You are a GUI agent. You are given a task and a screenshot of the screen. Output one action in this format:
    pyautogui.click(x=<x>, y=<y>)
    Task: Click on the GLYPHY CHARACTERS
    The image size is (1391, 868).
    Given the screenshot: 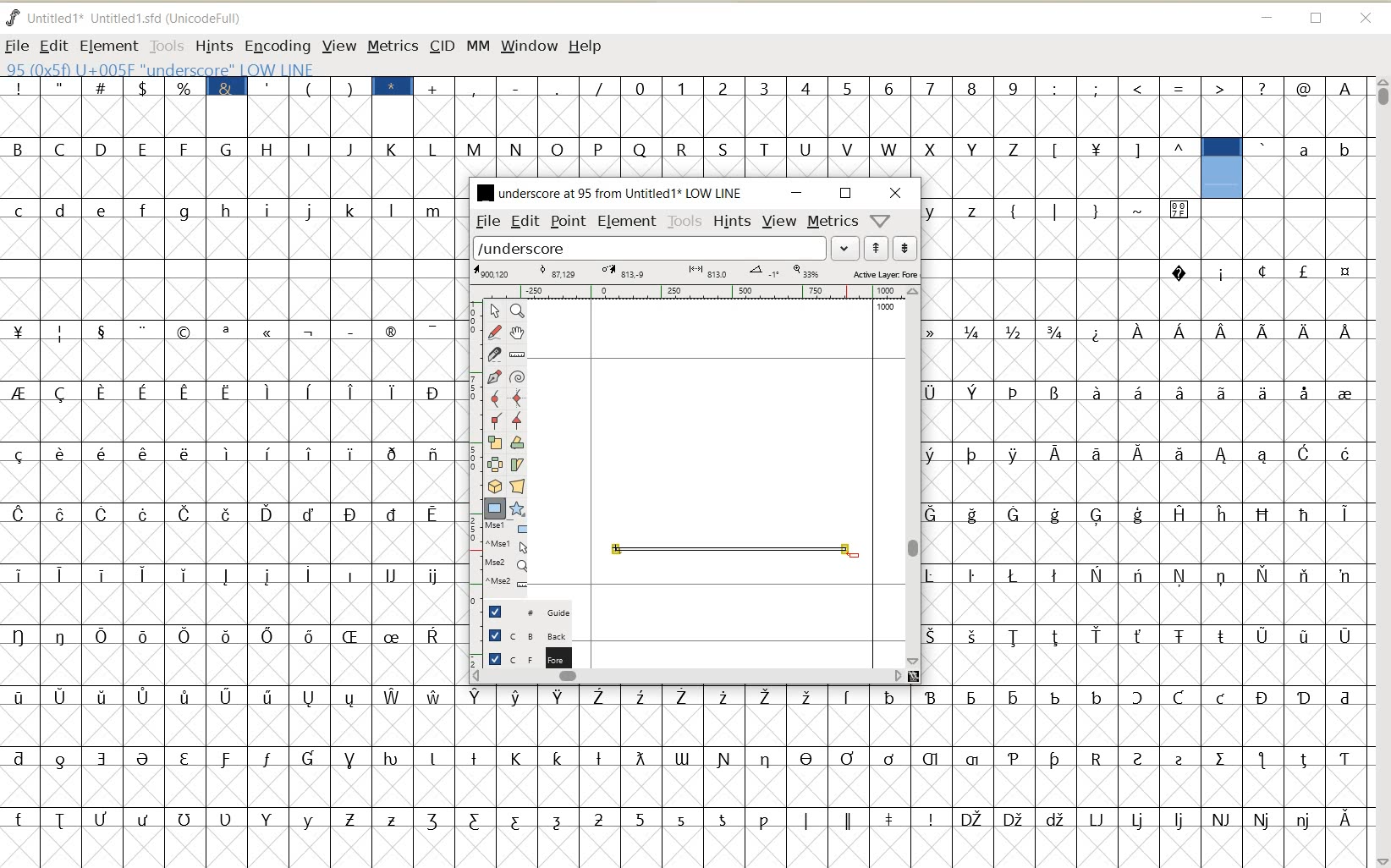 What is the action you would take?
    pyautogui.click(x=689, y=151)
    